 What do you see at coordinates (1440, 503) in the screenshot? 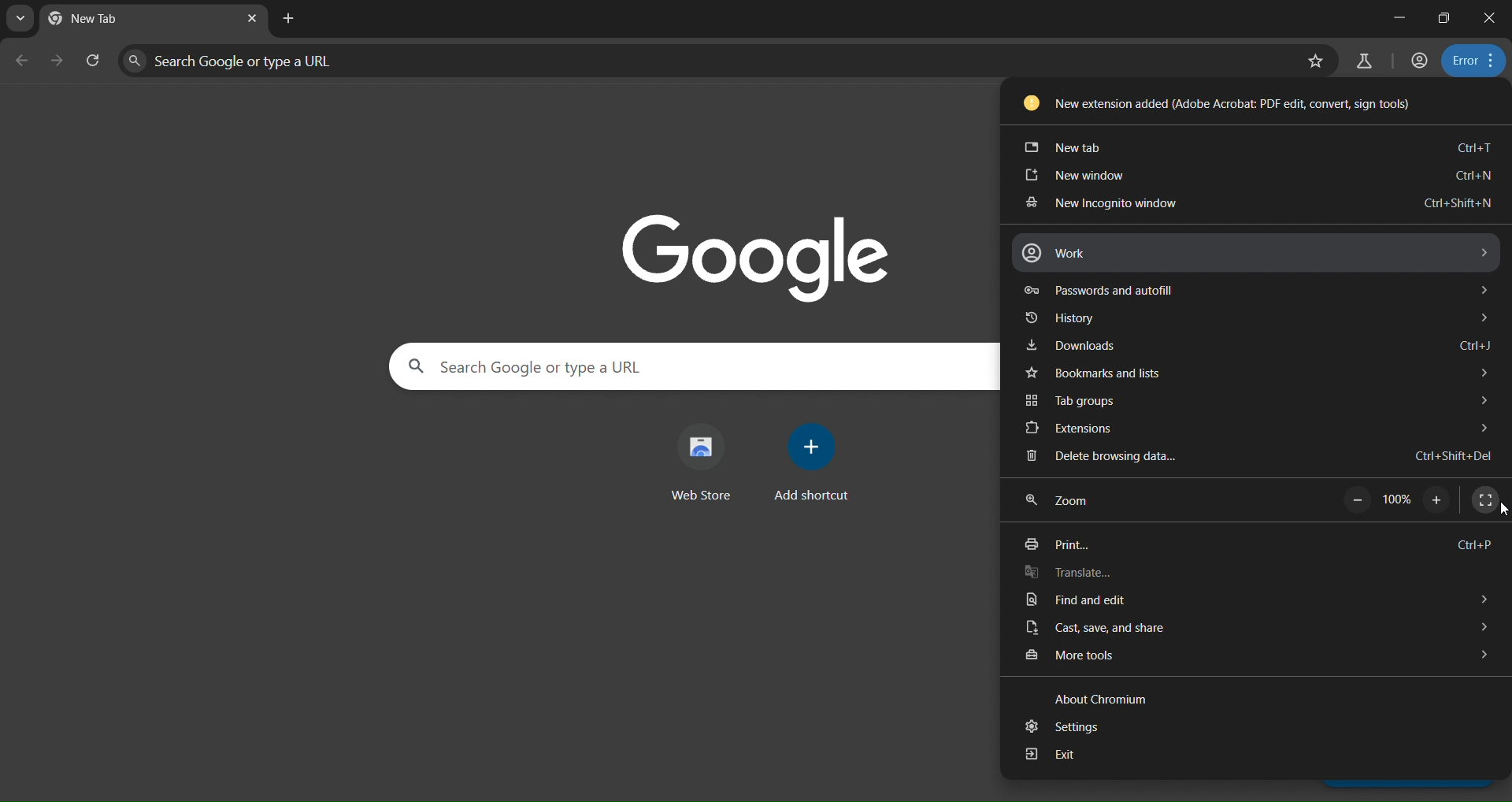
I see `zoom in` at bounding box center [1440, 503].